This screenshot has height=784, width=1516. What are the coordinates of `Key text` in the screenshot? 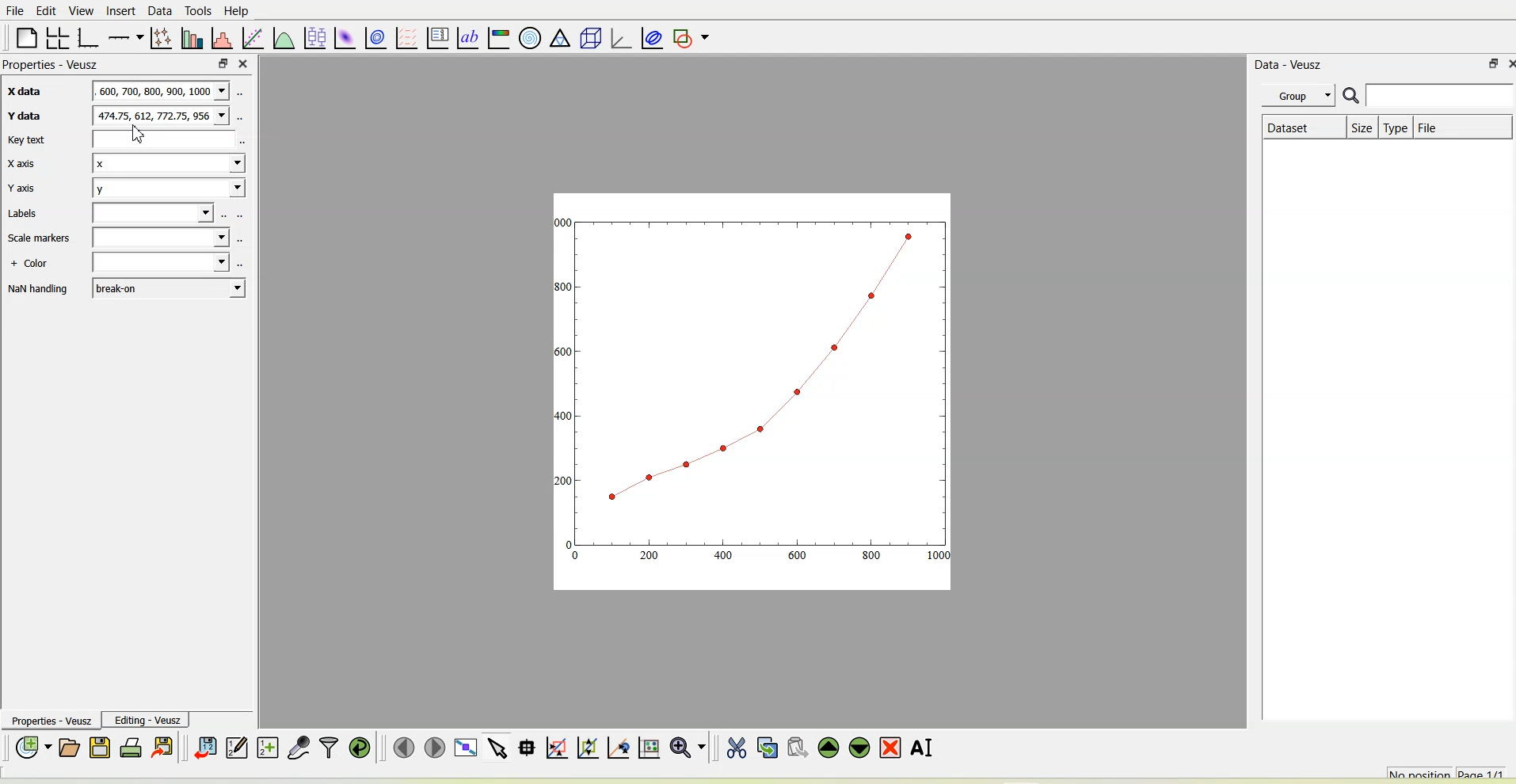 It's located at (29, 140).